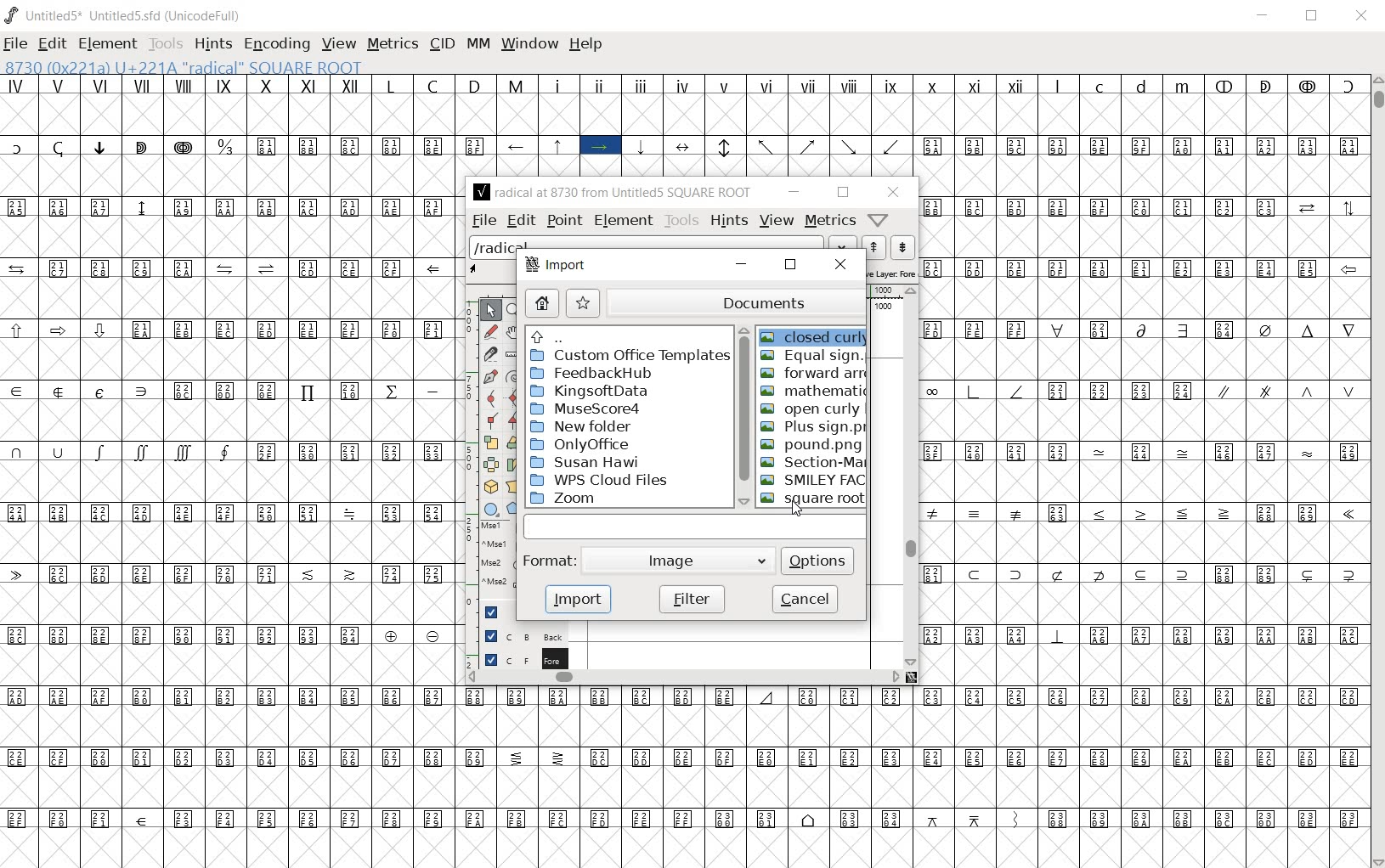 The width and height of the screenshot is (1385, 868). I want to click on restore, so click(789, 265).